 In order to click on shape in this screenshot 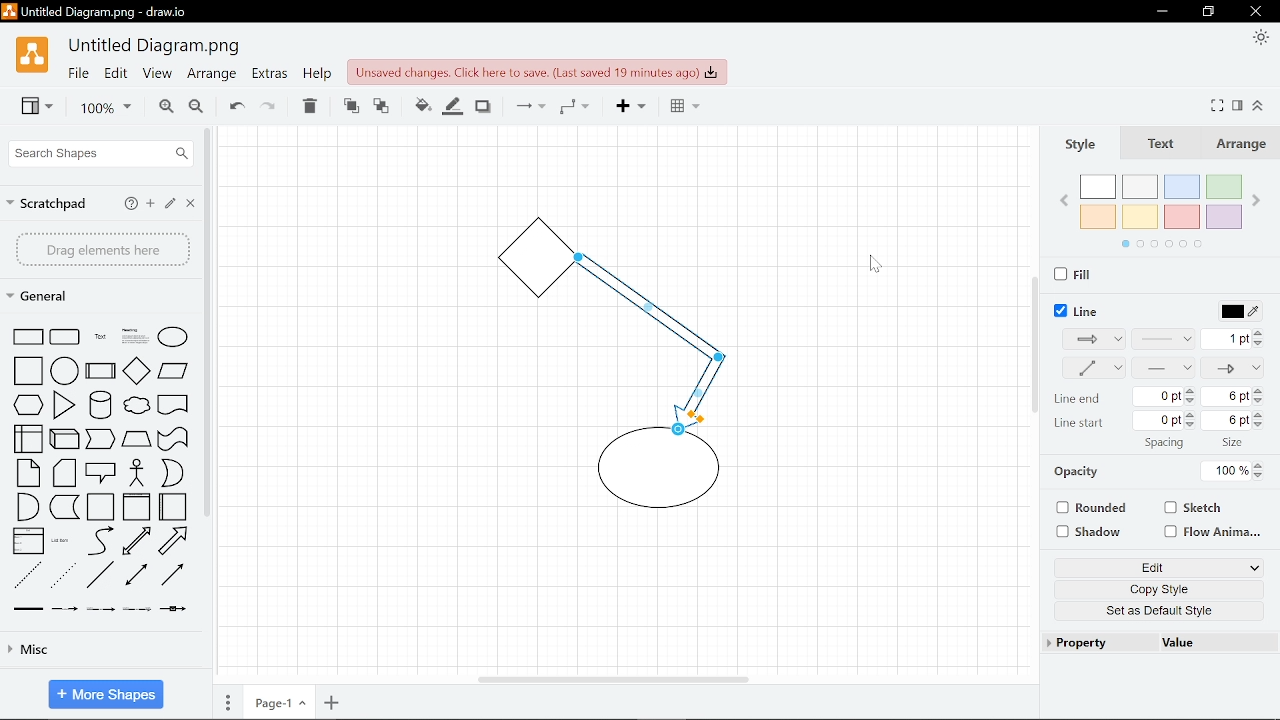, I will do `click(101, 440)`.